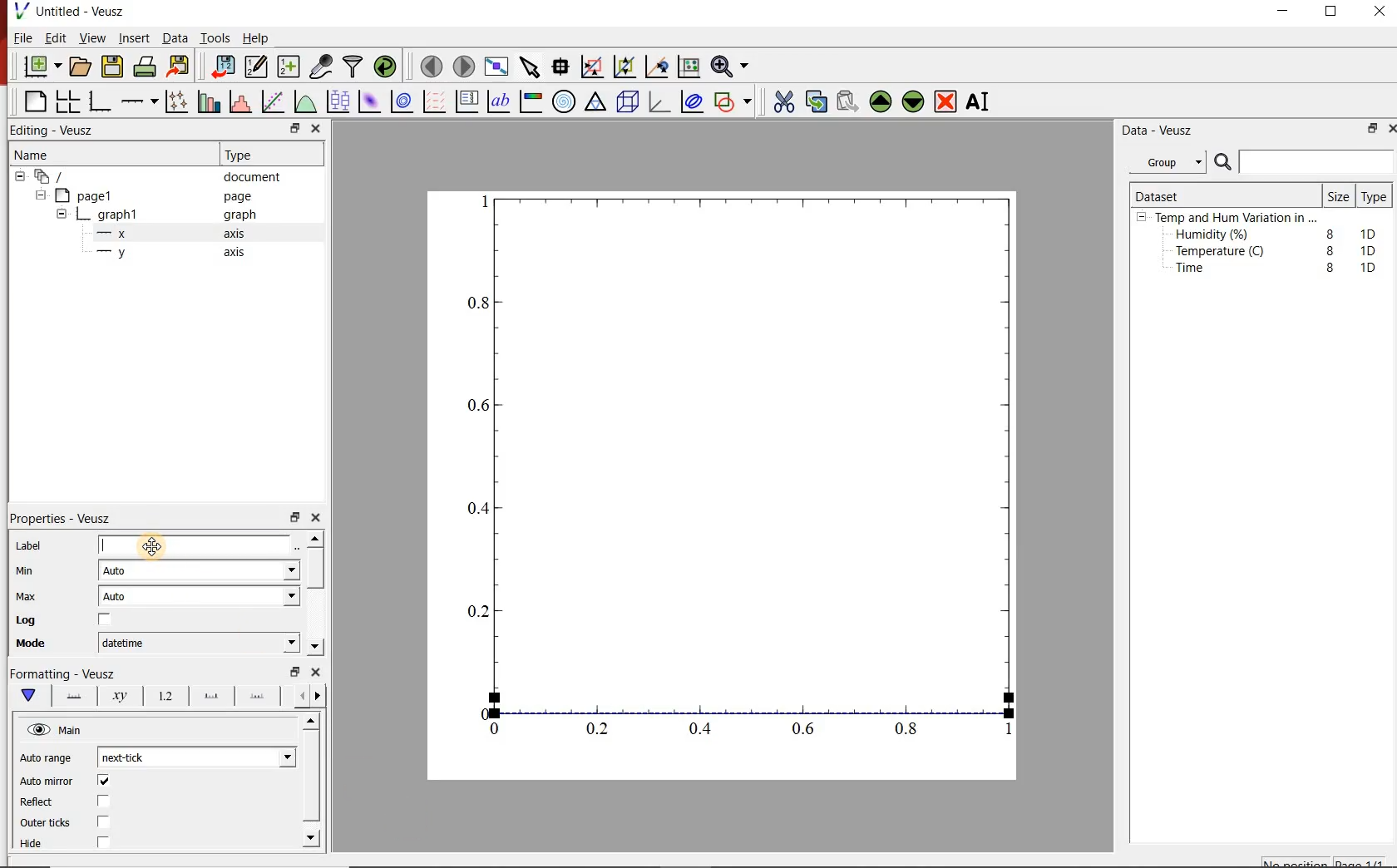  What do you see at coordinates (273, 572) in the screenshot?
I see `Min dropdown` at bounding box center [273, 572].